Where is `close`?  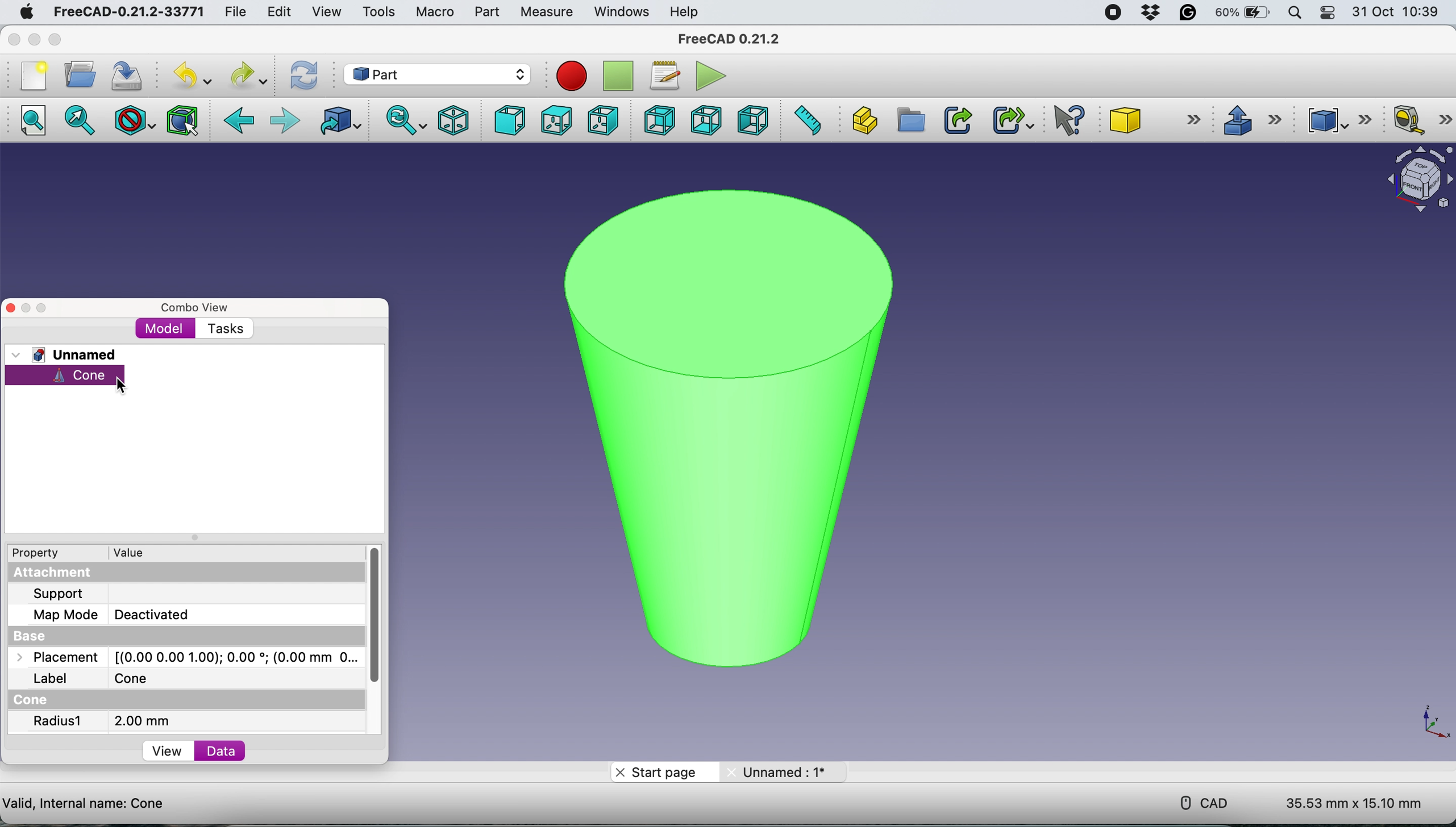
close is located at coordinates (16, 40).